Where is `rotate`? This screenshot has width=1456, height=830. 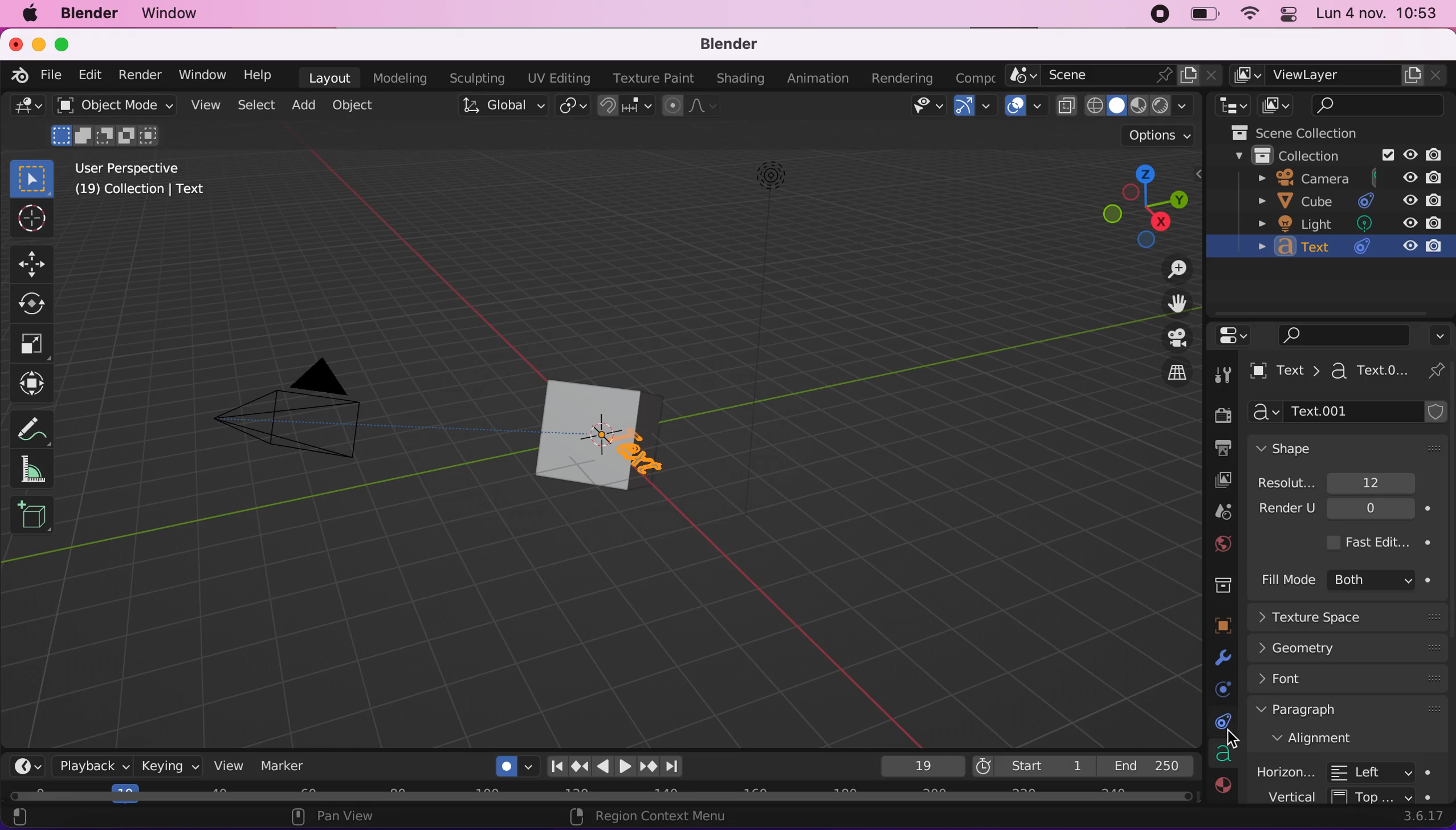 rotate is located at coordinates (32, 304).